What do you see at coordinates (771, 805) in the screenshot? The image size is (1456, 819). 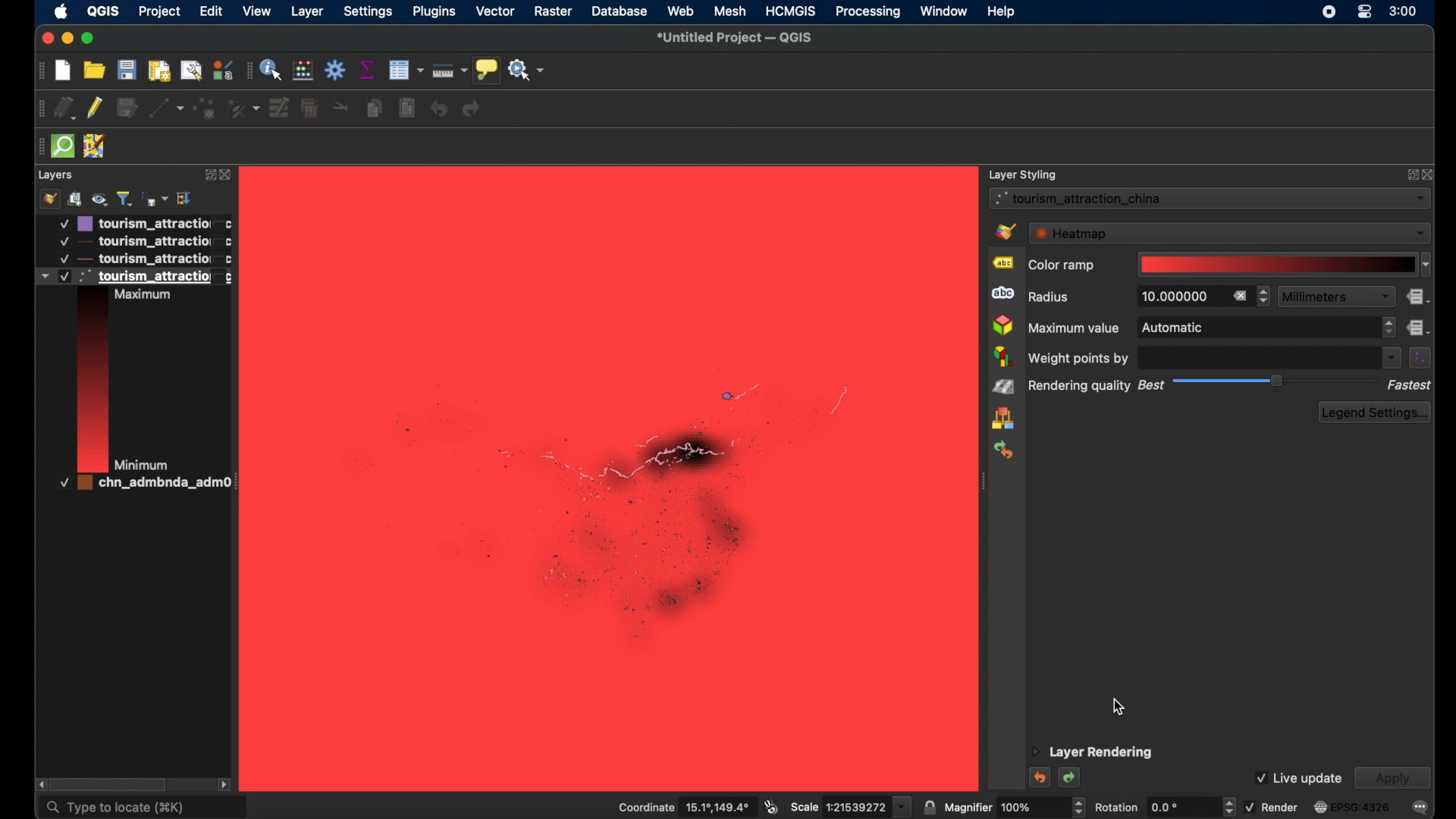 I see `toggle extents and mouse display position` at bounding box center [771, 805].